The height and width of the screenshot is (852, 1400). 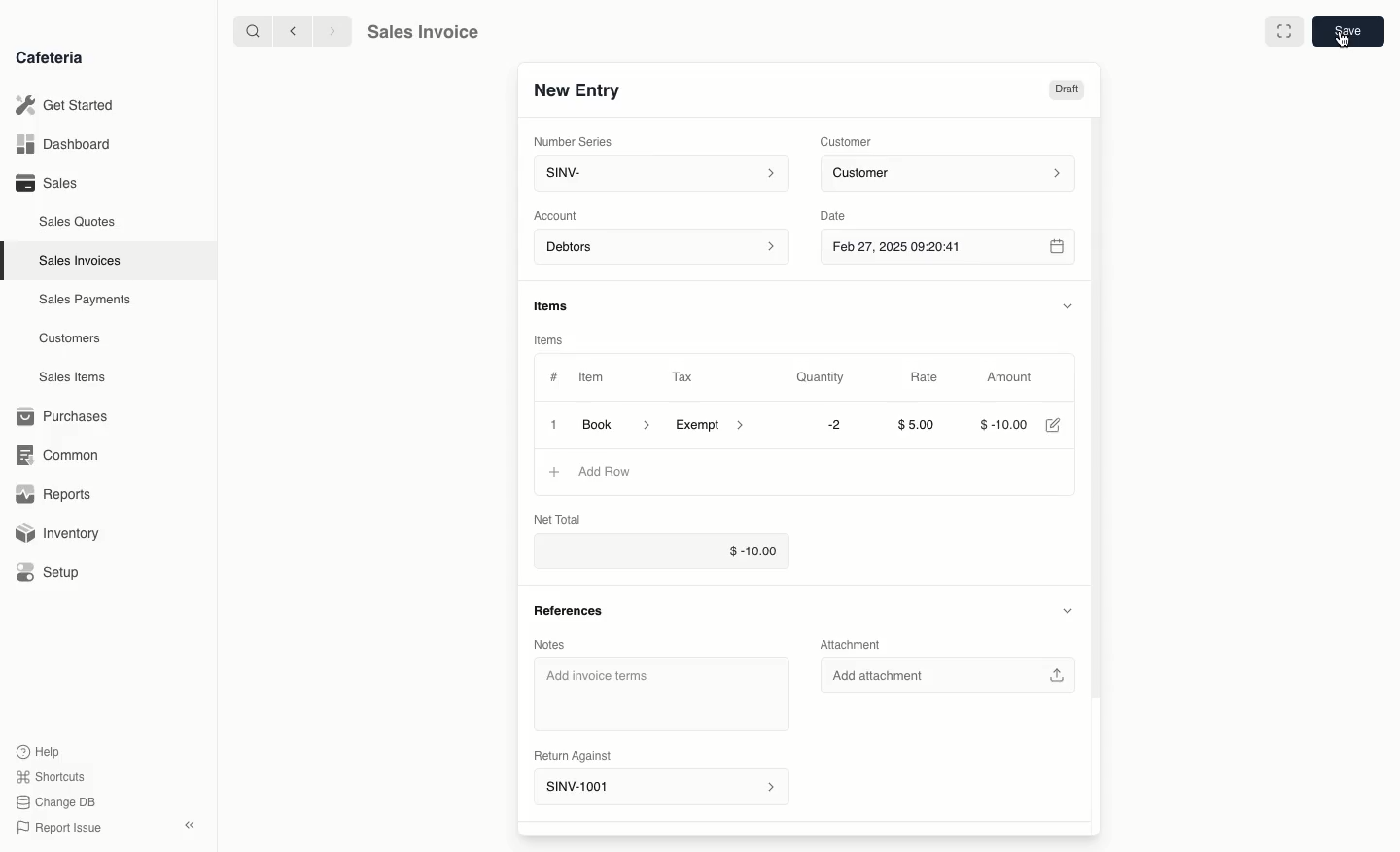 I want to click on Customers, so click(x=70, y=339).